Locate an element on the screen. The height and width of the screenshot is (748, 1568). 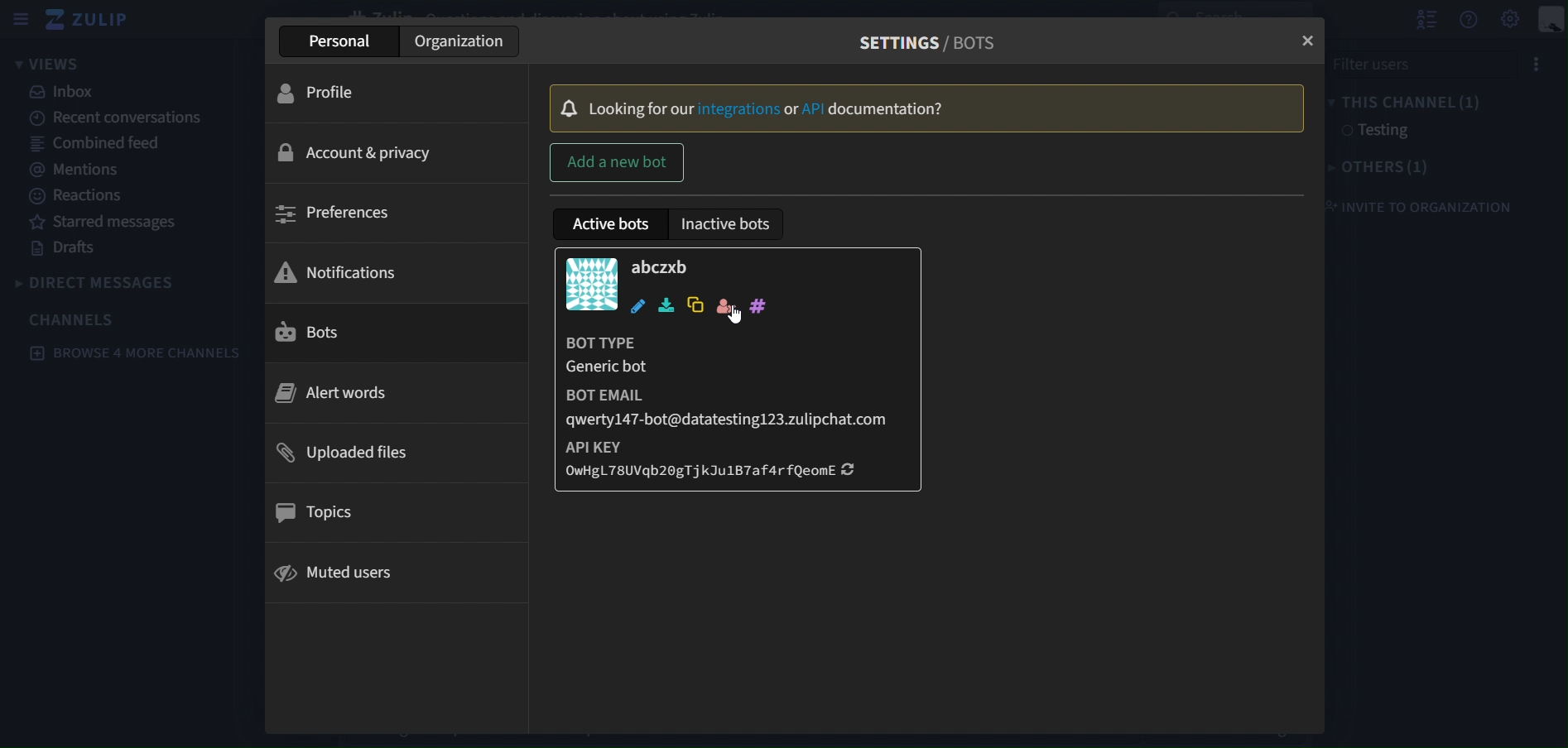
organisation is located at coordinates (462, 41).